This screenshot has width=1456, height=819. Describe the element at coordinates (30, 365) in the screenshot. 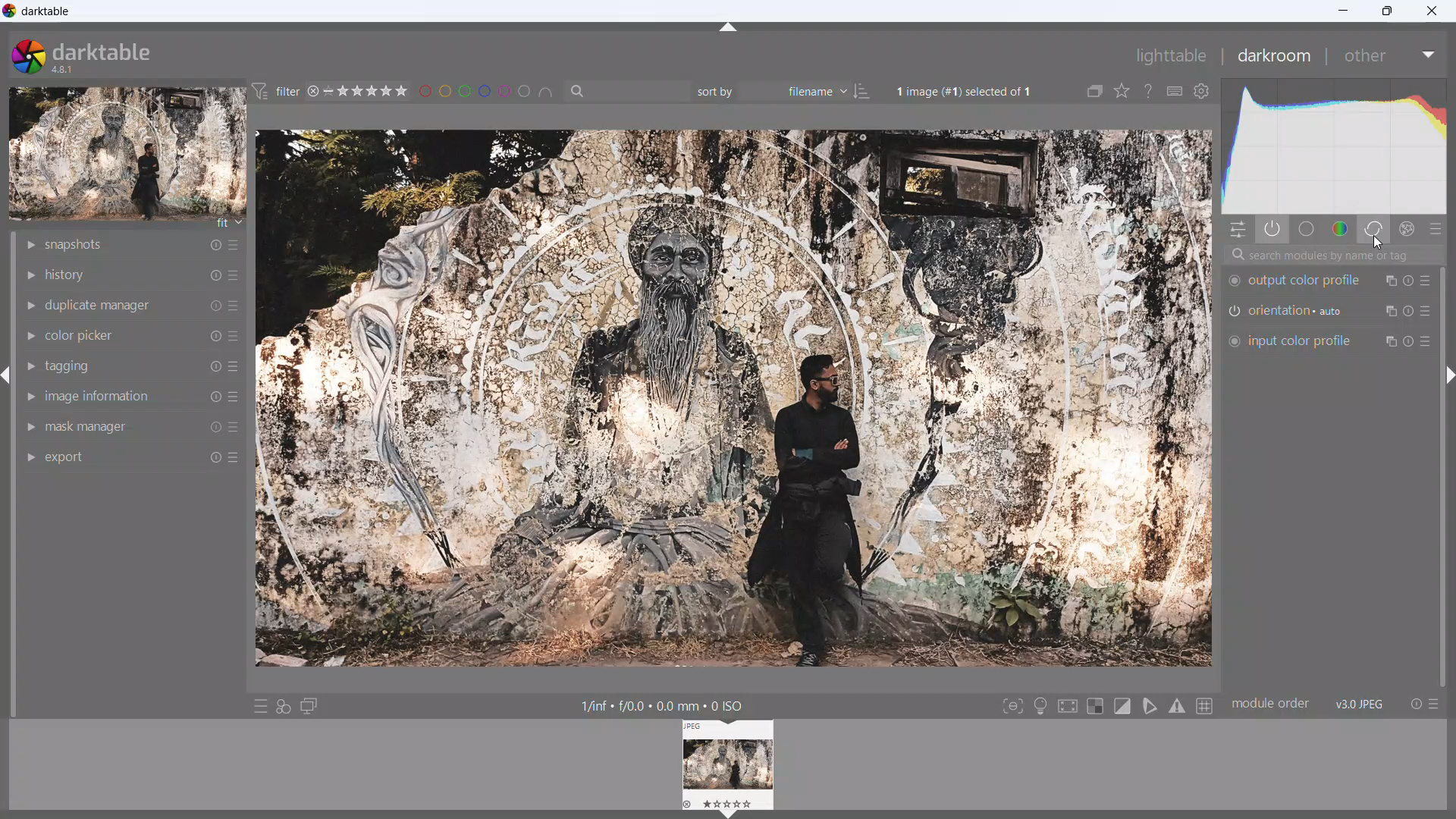

I see `show module` at that location.